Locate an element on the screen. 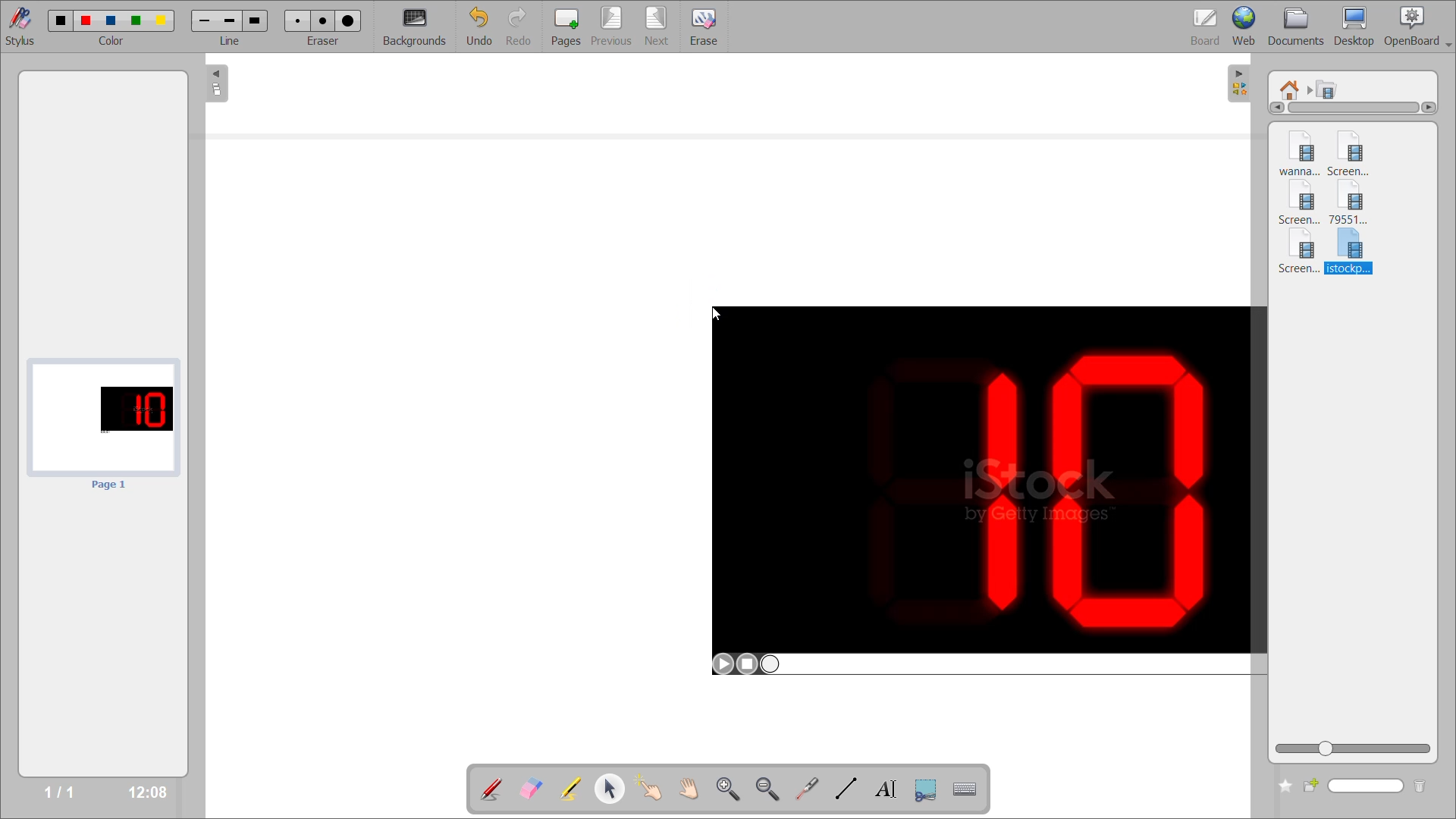 Image resolution: width=1456 pixels, height=819 pixels. name box is located at coordinates (1352, 787).